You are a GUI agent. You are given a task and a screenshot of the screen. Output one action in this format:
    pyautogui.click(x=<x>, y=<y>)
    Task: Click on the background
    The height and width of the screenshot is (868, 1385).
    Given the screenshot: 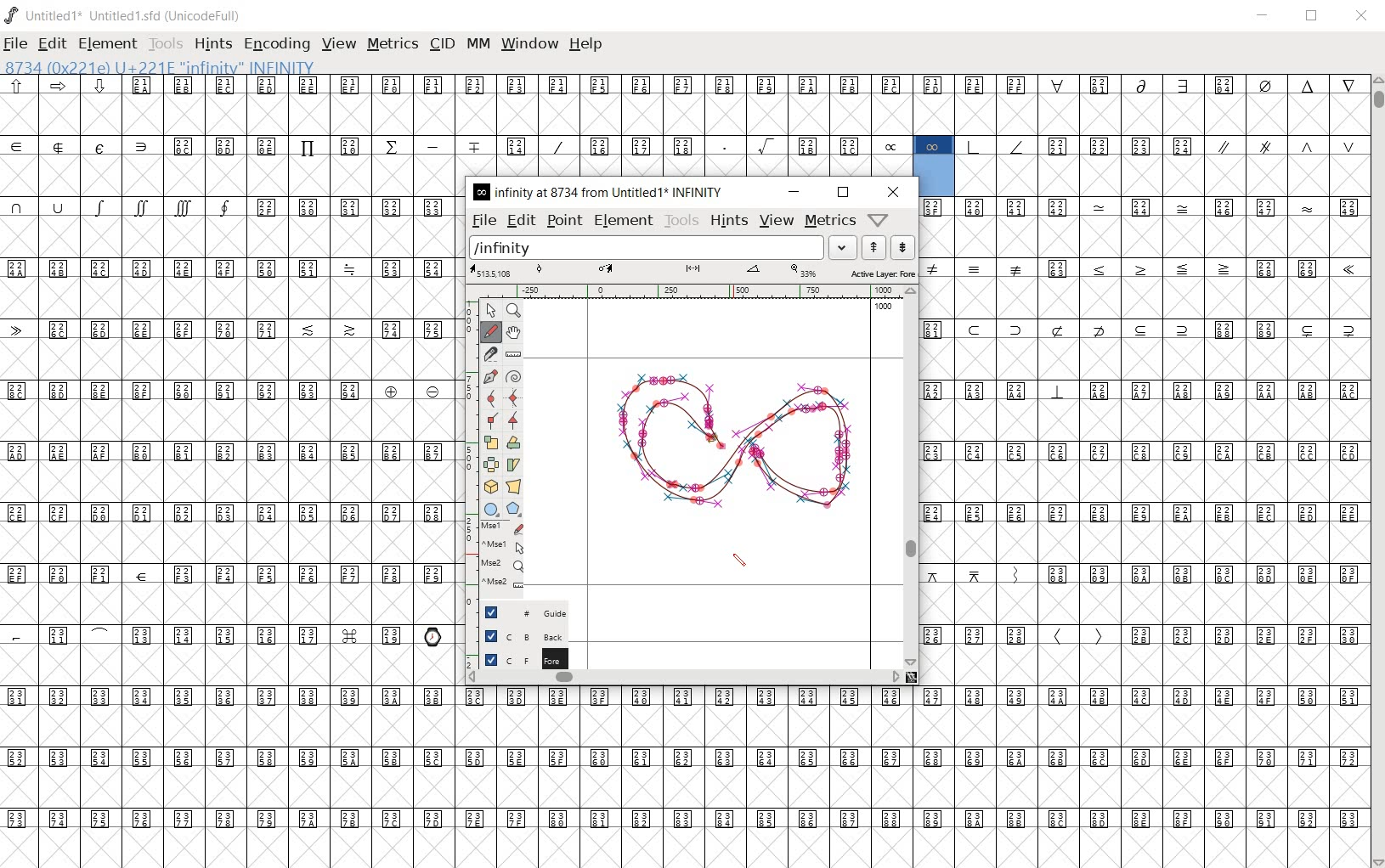 What is the action you would take?
    pyautogui.click(x=517, y=636)
    